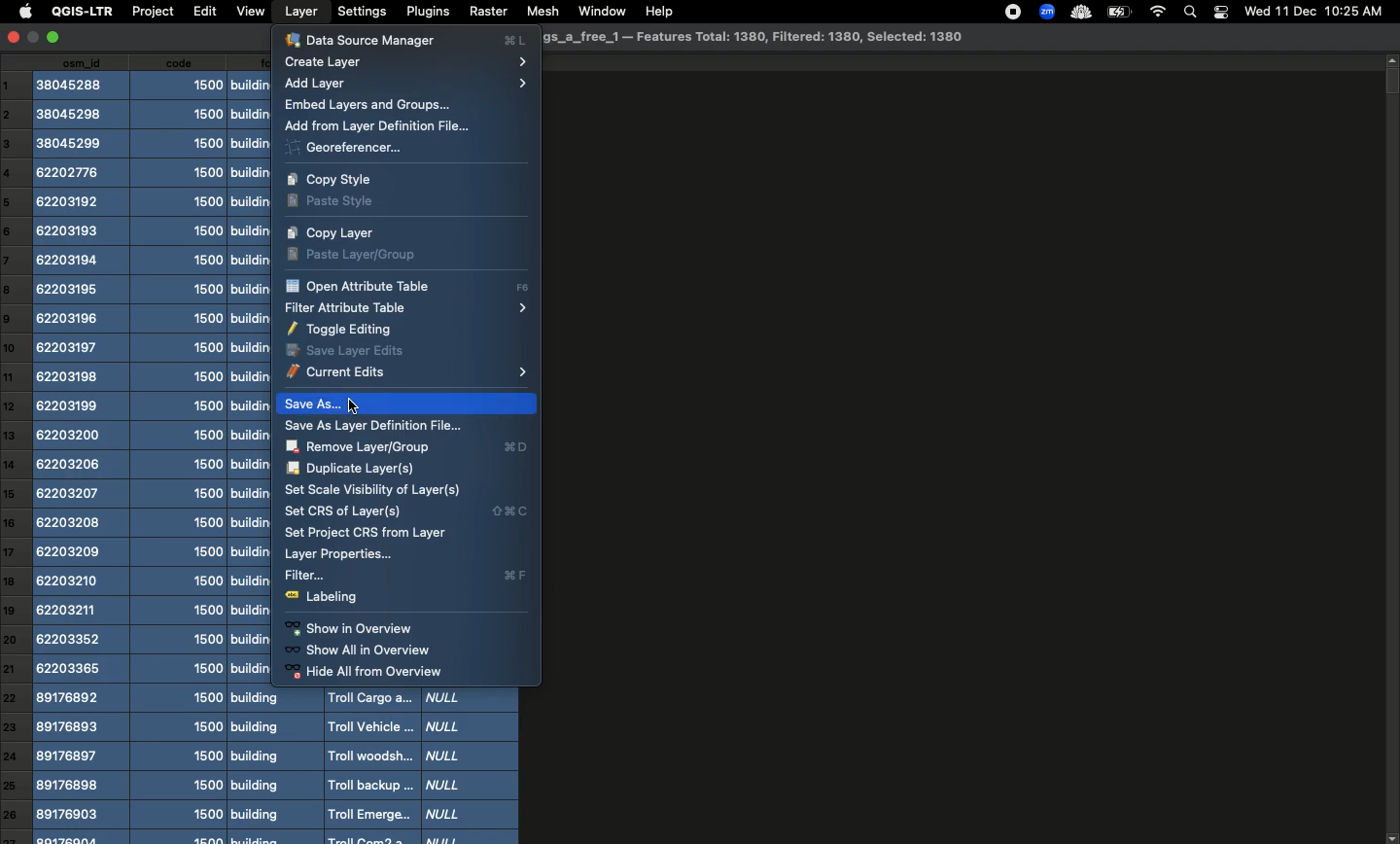 The height and width of the screenshot is (844, 1400). I want to click on Settings, so click(361, 11).